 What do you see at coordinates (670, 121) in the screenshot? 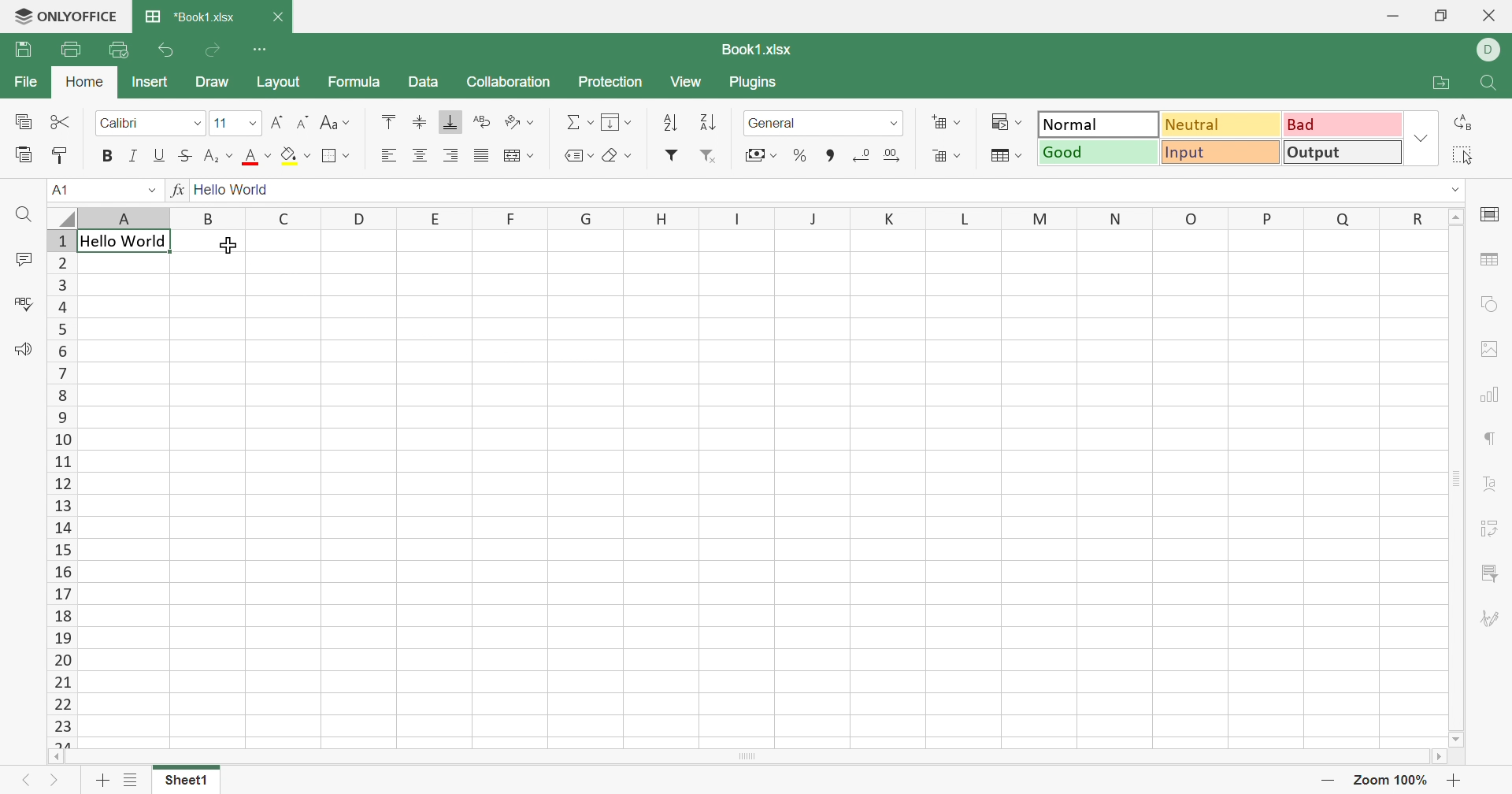
I see `Sort ascending` at bounding box center [670, 121].